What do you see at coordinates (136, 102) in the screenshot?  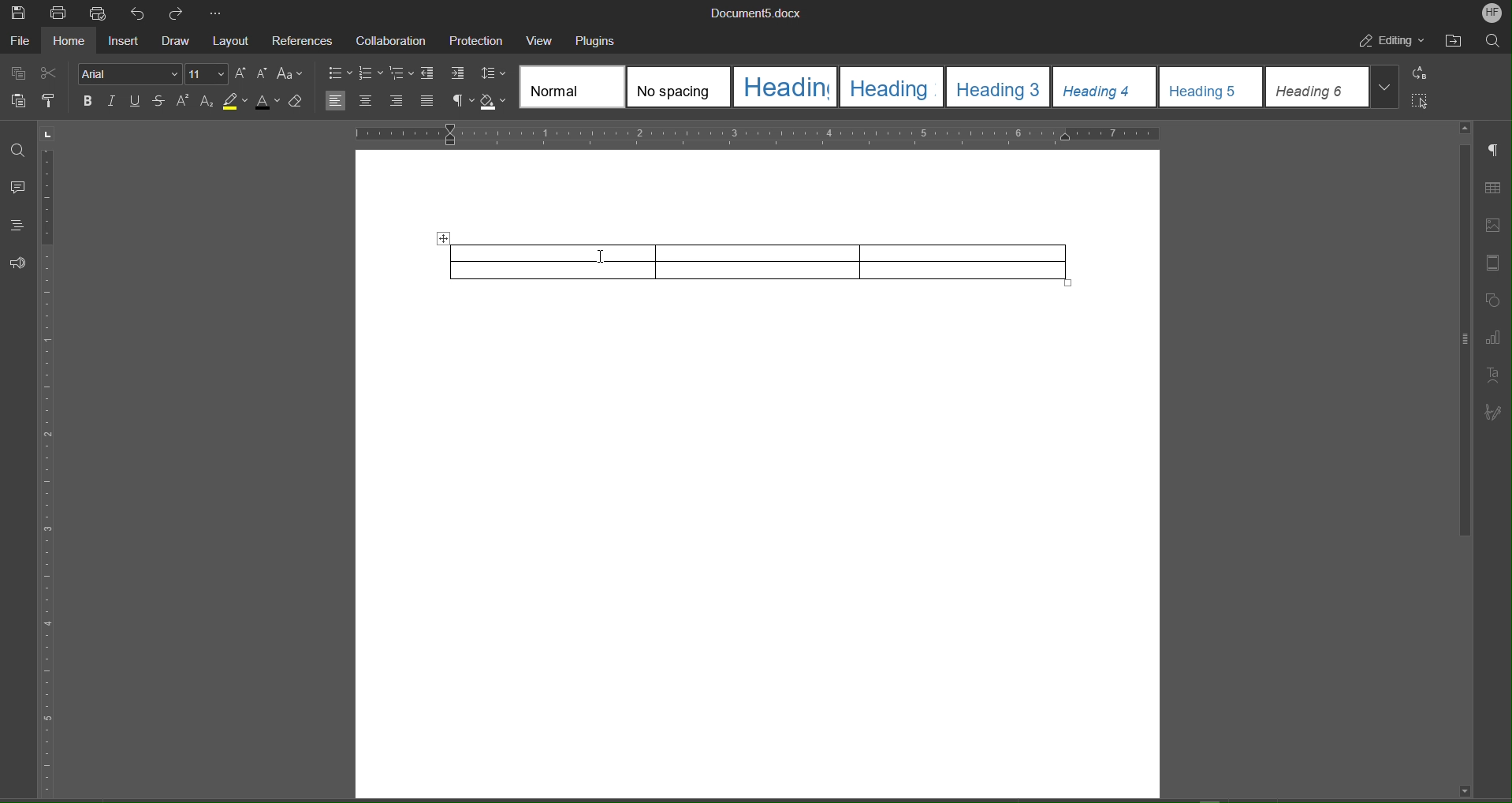 I see `Underline` at bounding box center [136, 102].